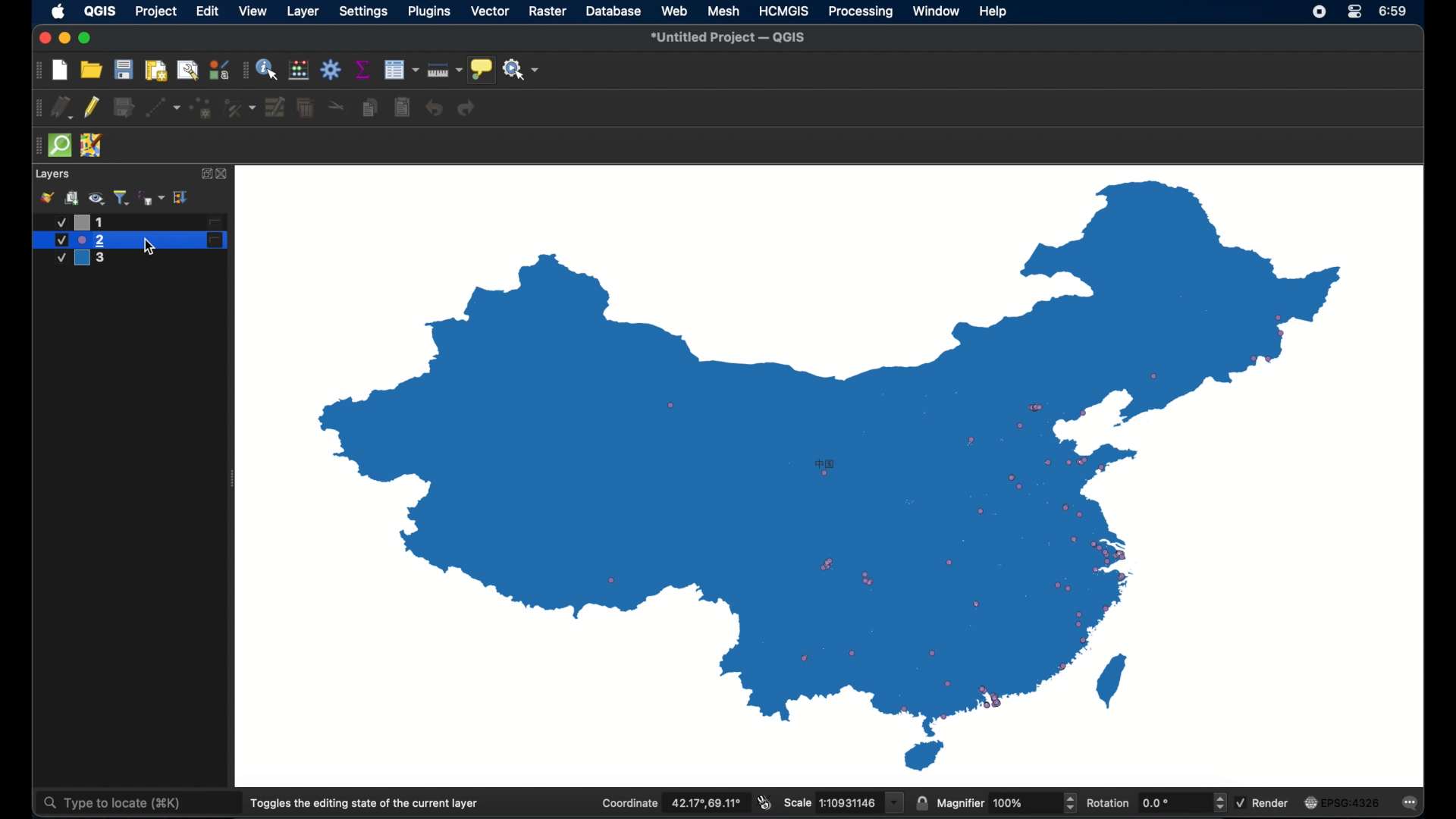  I want to click on redo, so click(469, 108).